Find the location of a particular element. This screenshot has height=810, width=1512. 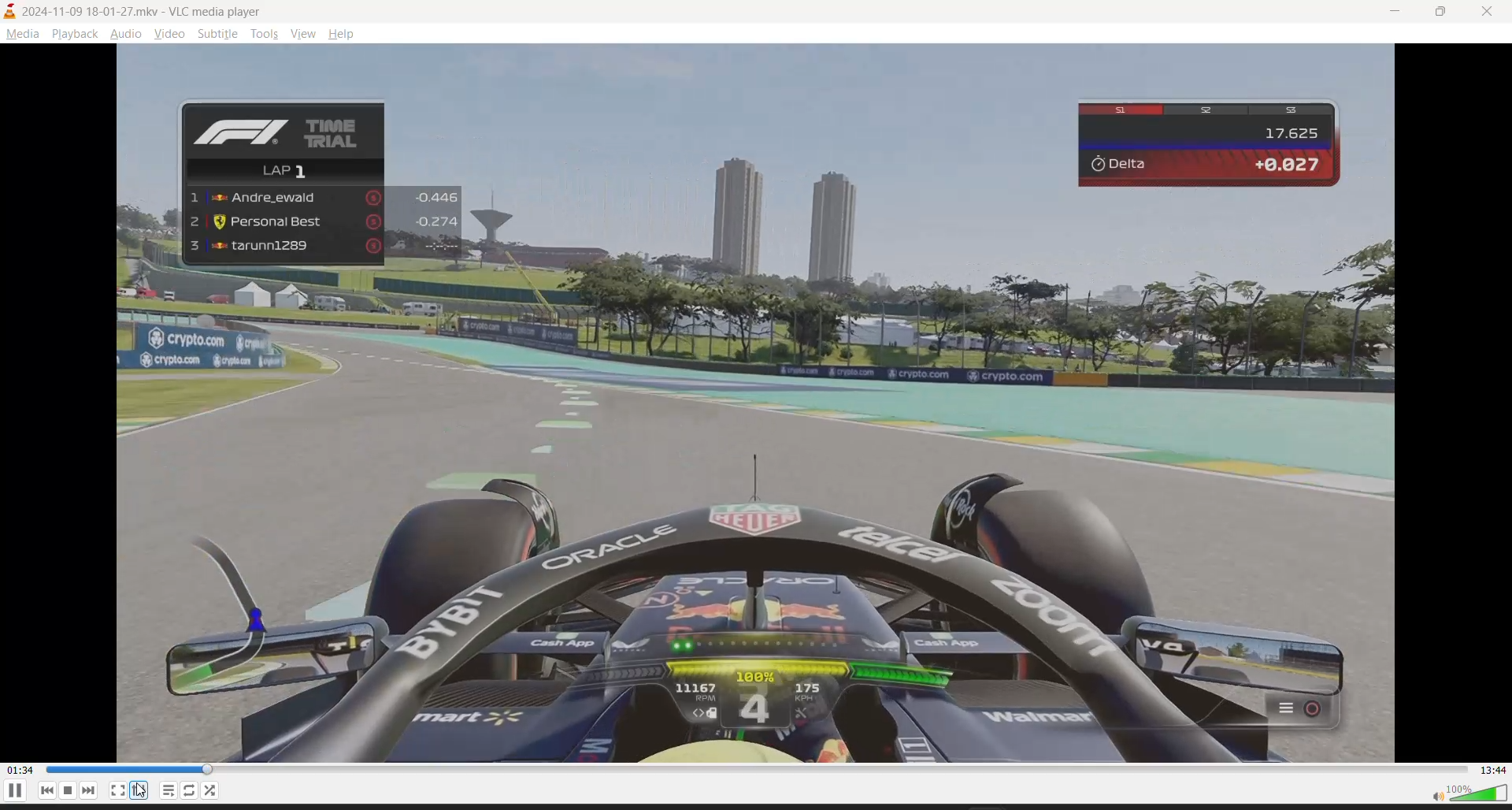

playlist is located at coordinates (165, 790).